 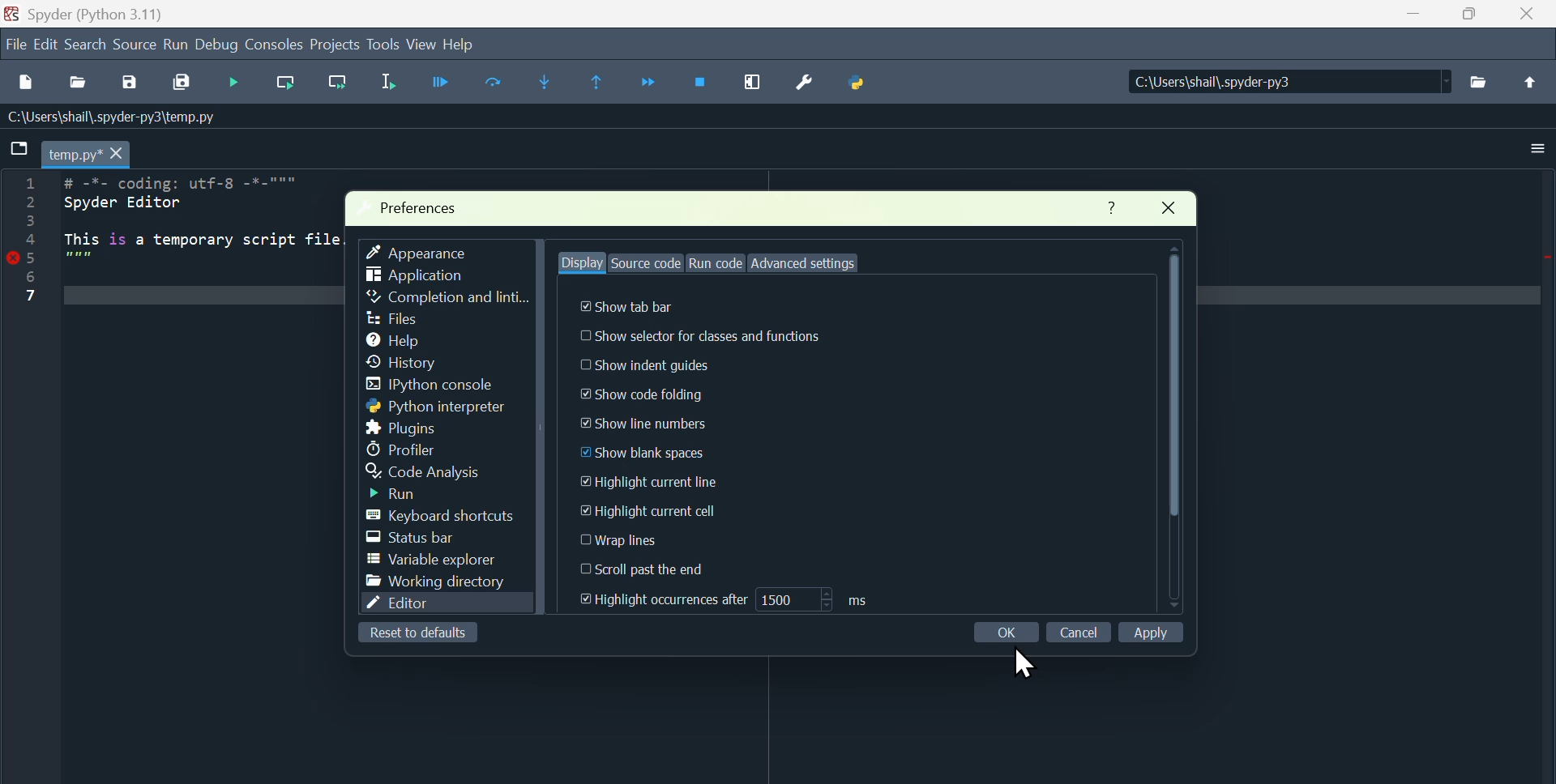 I want to click on Preferences, so click(x=805, y=83).